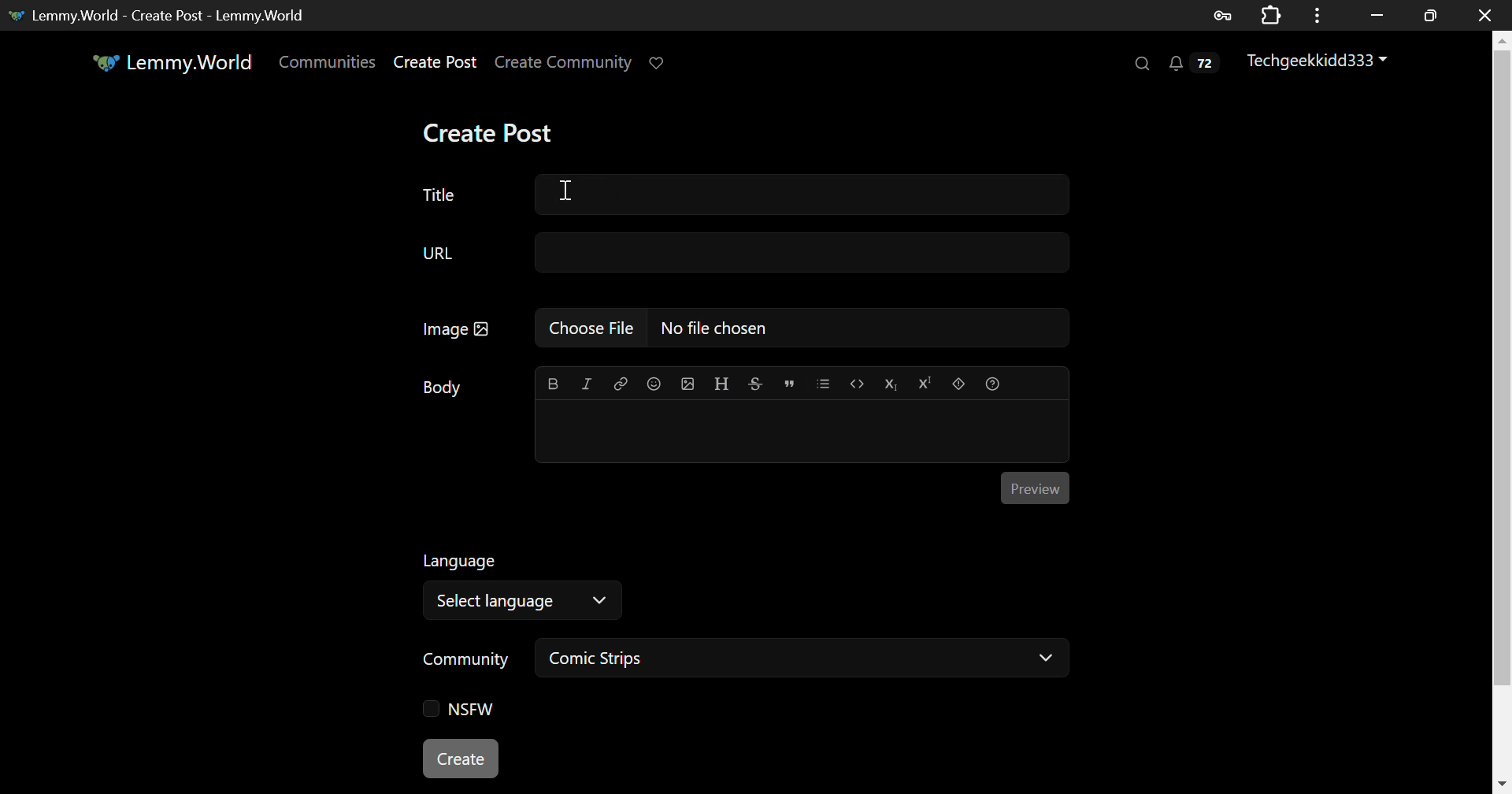  I want to click on Techgeekkidd333, so click(1319, 62).